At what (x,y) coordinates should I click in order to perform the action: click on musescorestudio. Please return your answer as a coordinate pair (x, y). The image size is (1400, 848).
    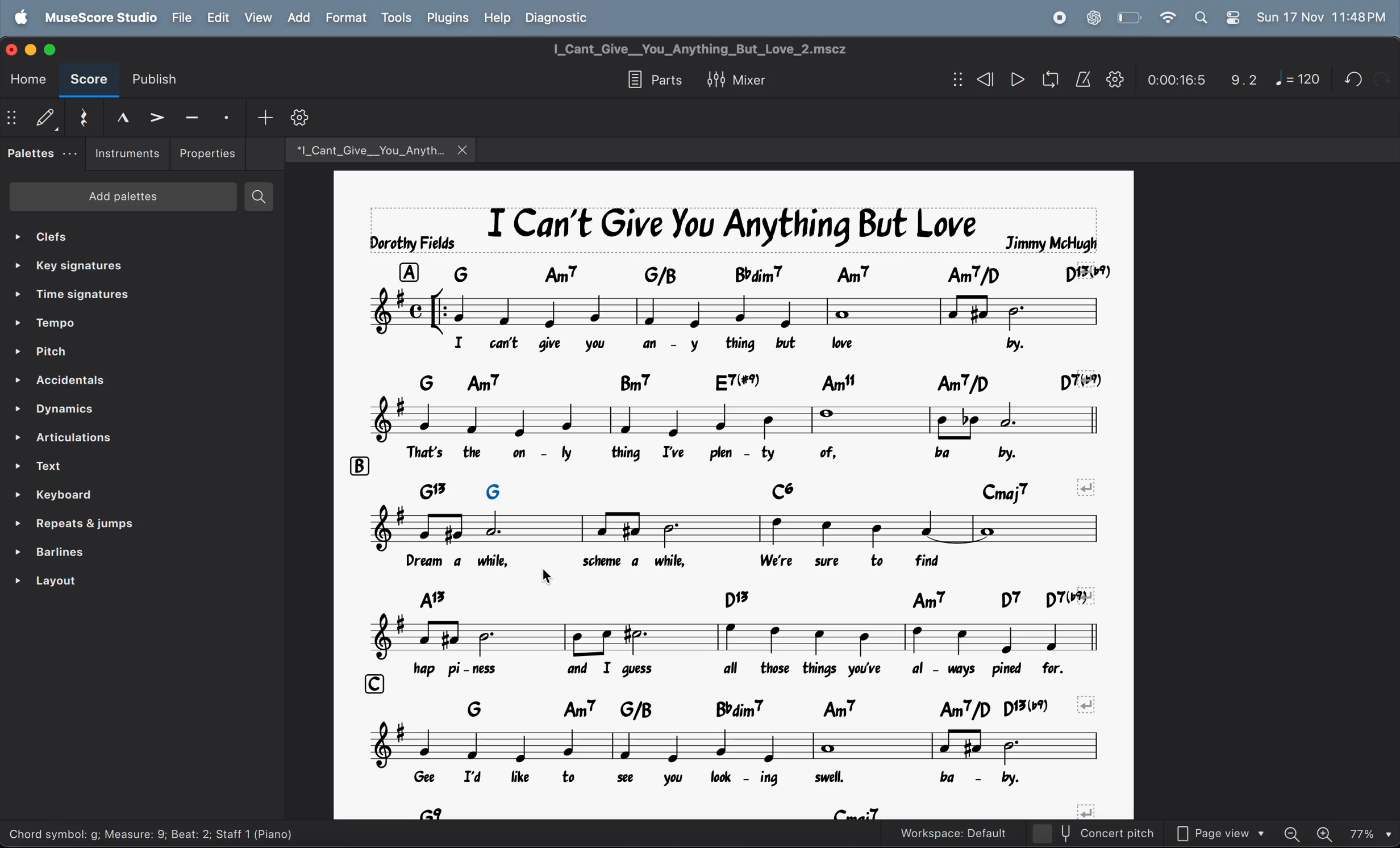
    Looking at the image, I should click on (100, 18).